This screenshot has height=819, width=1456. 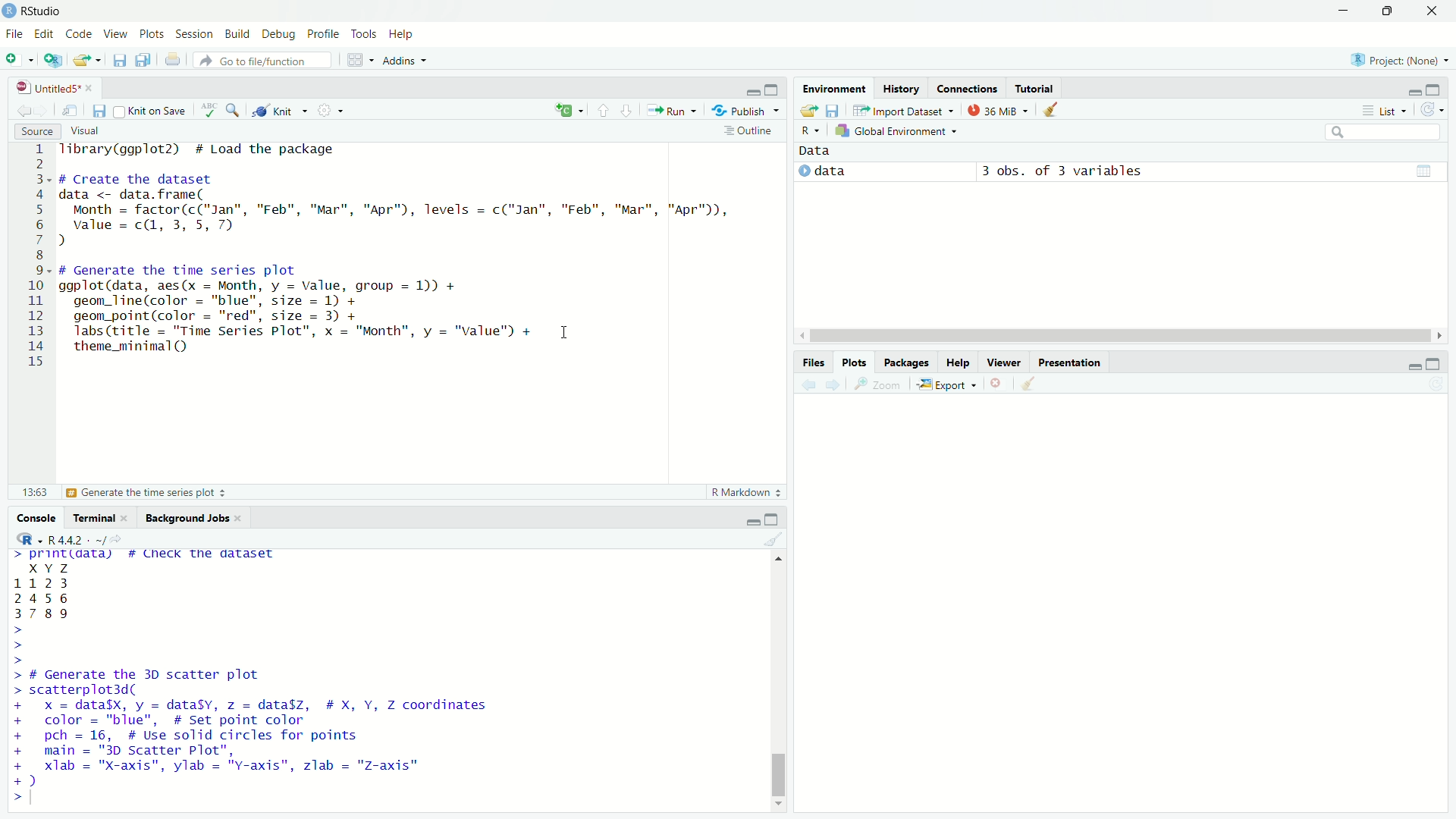 What do you see at coordinates (1053, 109) in the screenshot?
I see `clear objects from the workspace` at bounding box center [1053, 109].